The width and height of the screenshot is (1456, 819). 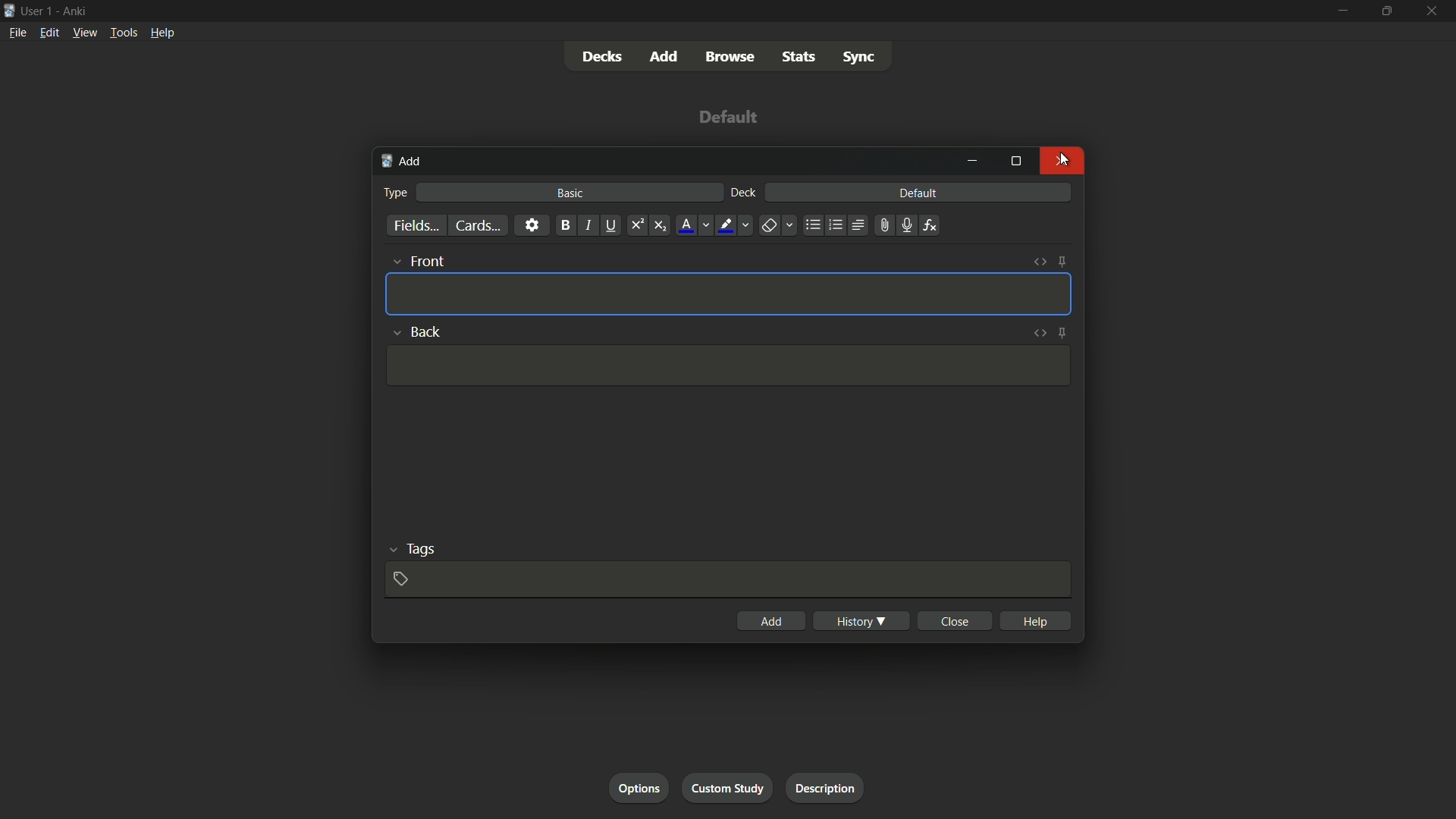 I want to click on Close, so click(x=1063, y=161).